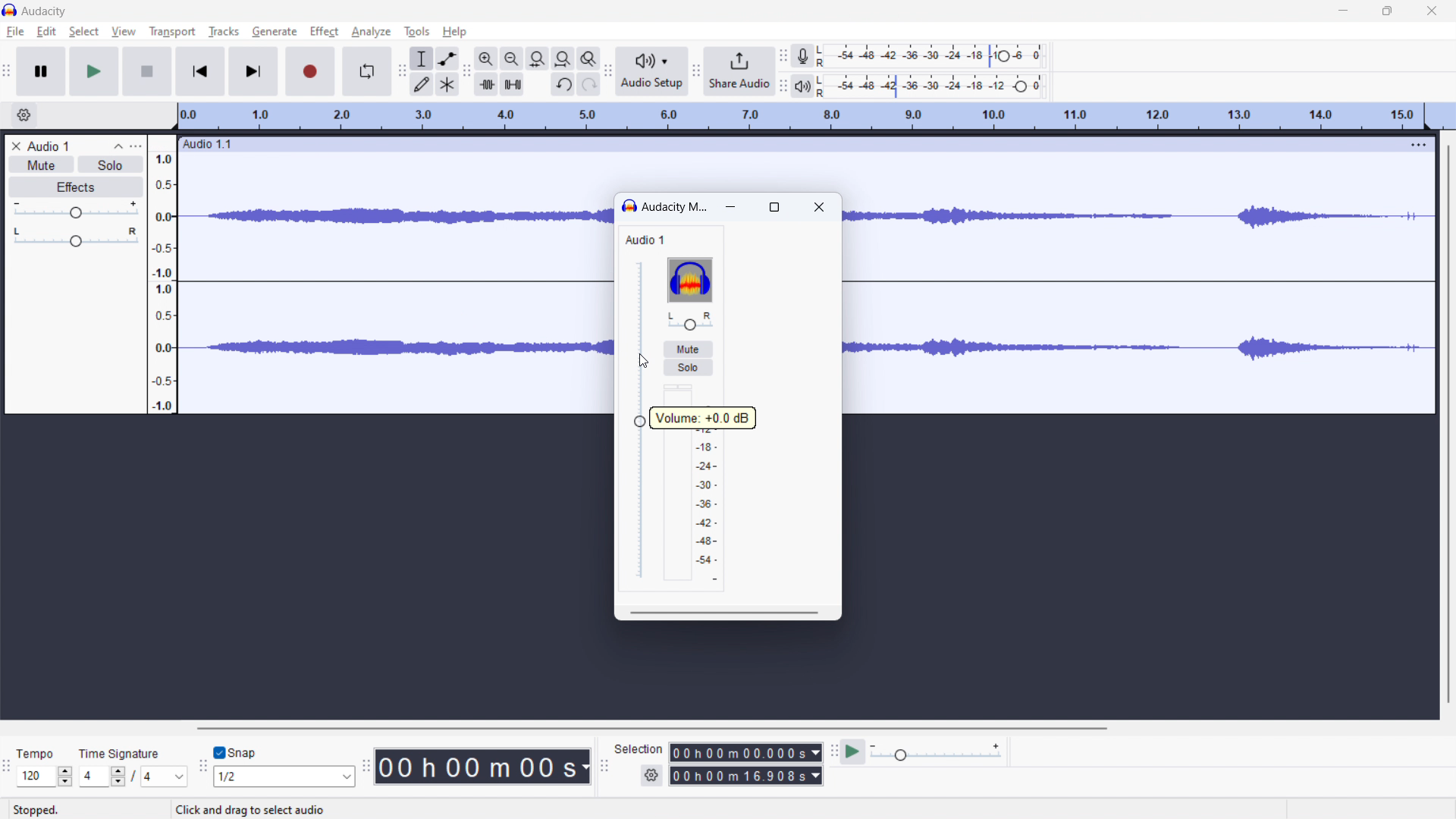 This screenshot has height=819, width=1456. What do you see at coordinates (1091, 352) in the screenshot?
I see `waveform` at bounding box center [1091, 352].